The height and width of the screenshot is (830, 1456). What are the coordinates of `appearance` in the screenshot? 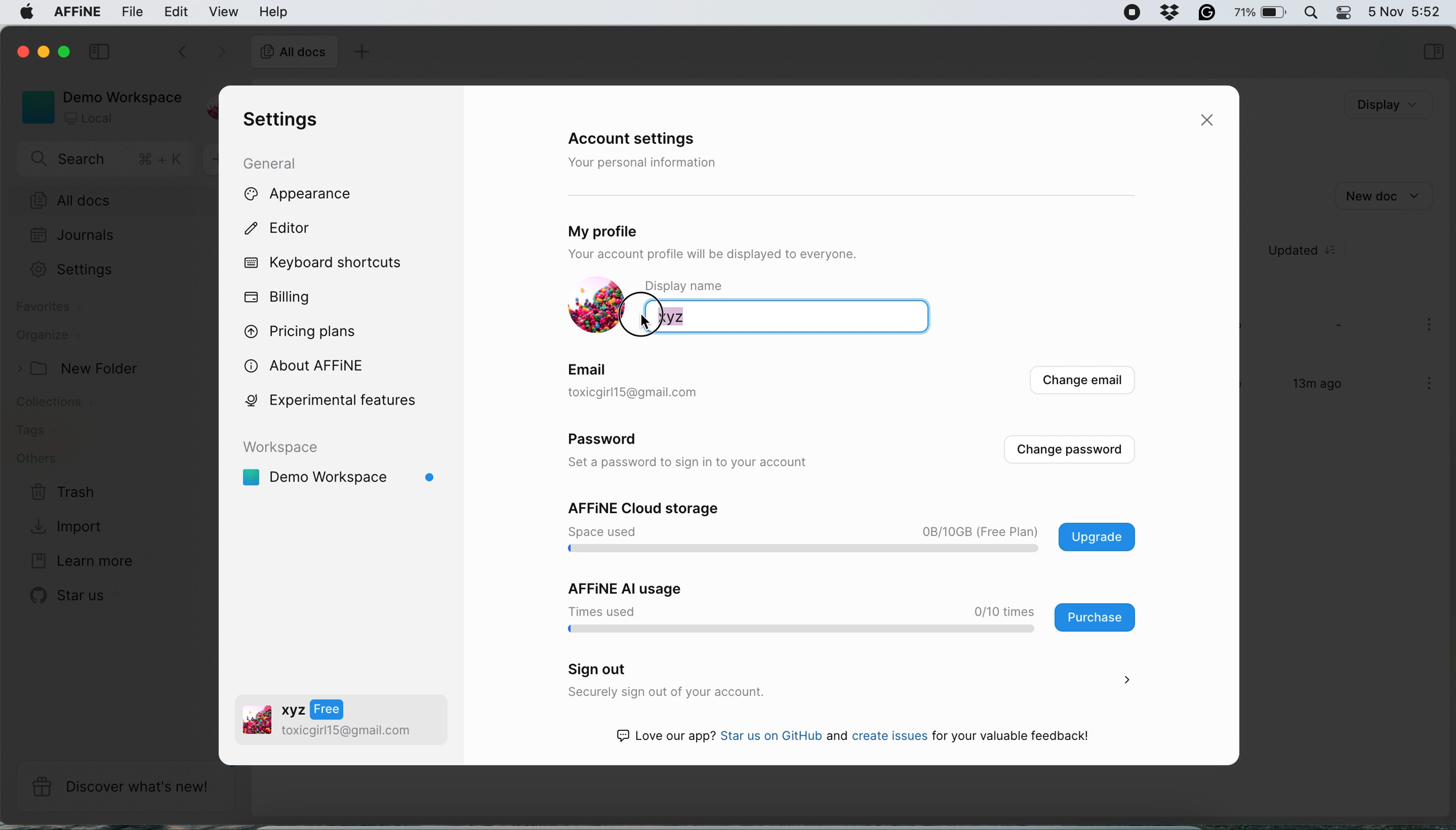 It's located at (317, 195).